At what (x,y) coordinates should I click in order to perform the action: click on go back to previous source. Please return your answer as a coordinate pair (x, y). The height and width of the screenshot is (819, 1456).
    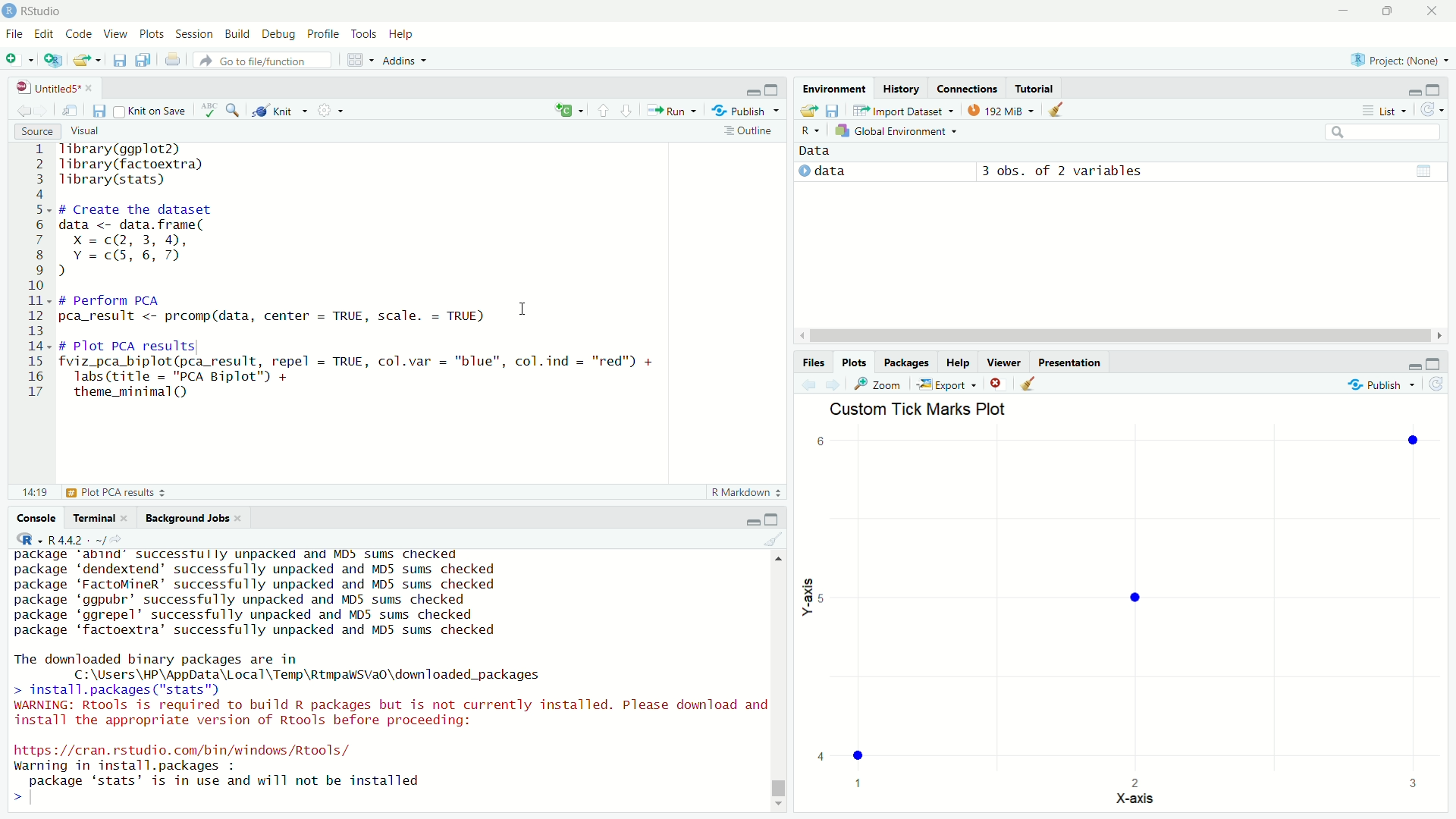
    Looking at the image, I should click on (21, 111).